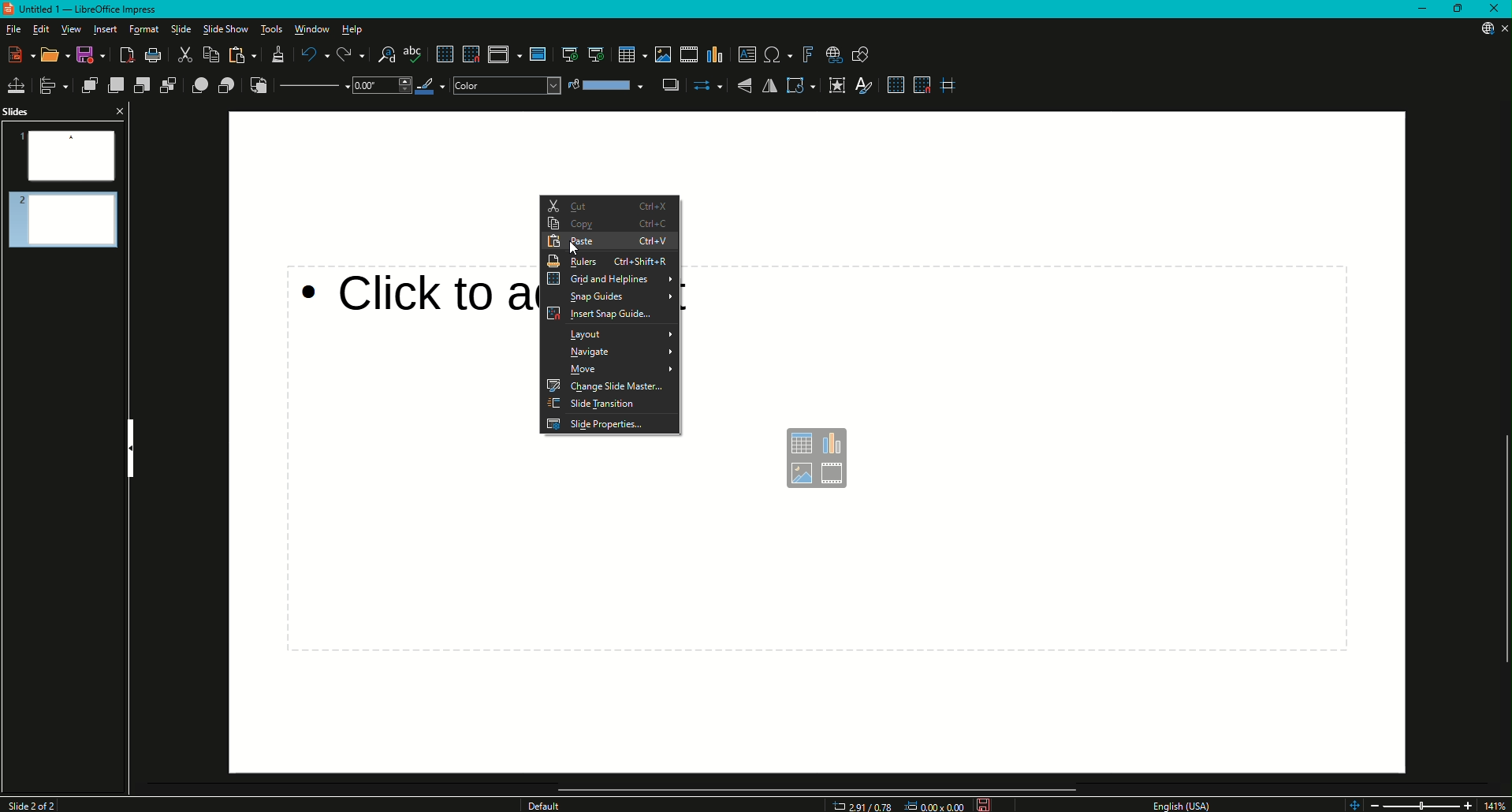  Describe the element at coordinates (708, 88) in the screenshot. I see `Select Start and End` at that location.